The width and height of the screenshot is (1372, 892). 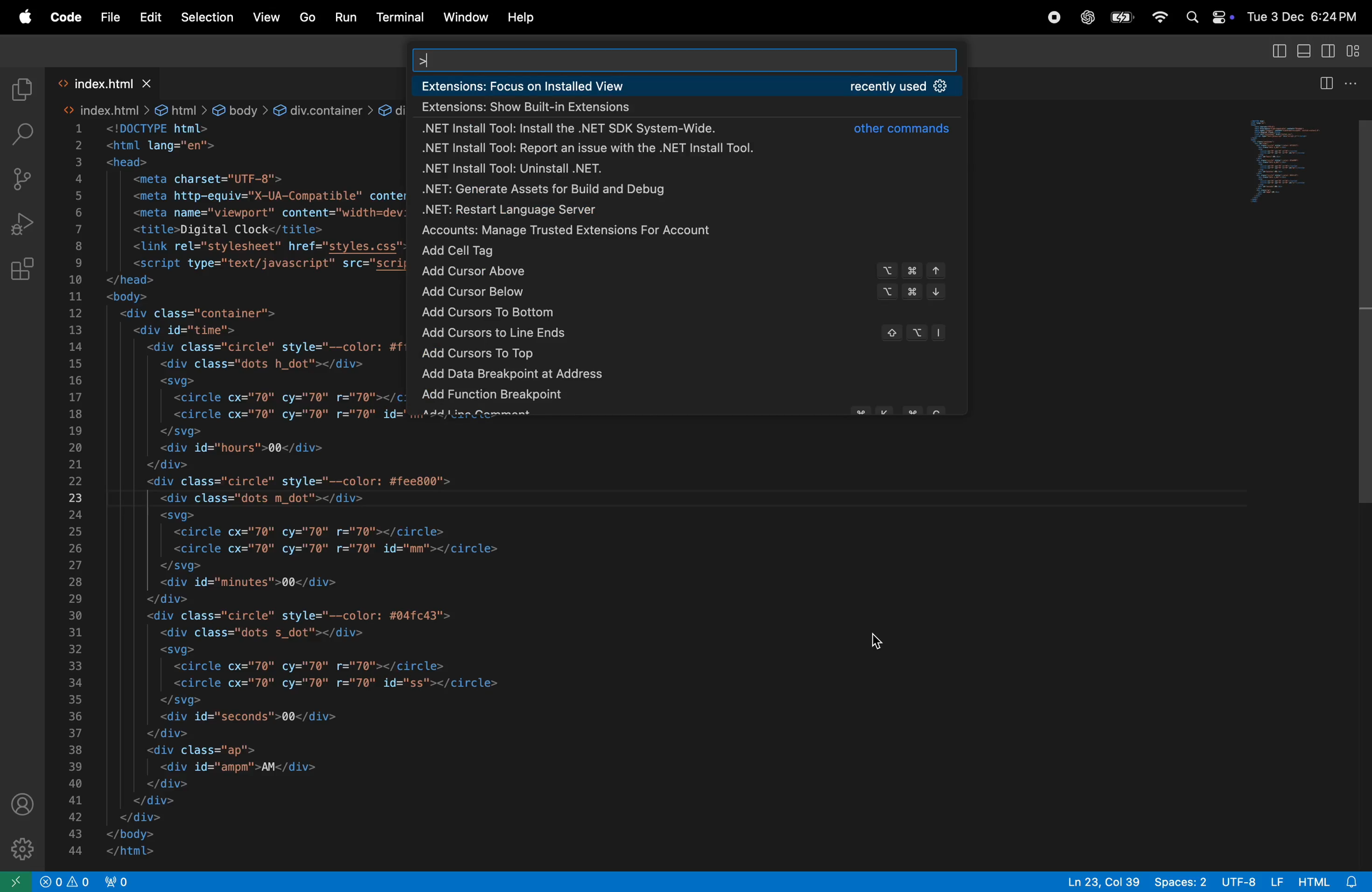 What do you see at coordinates (123, 880) in the screenshot?
I see `new port` at bounding box center [123, 880].